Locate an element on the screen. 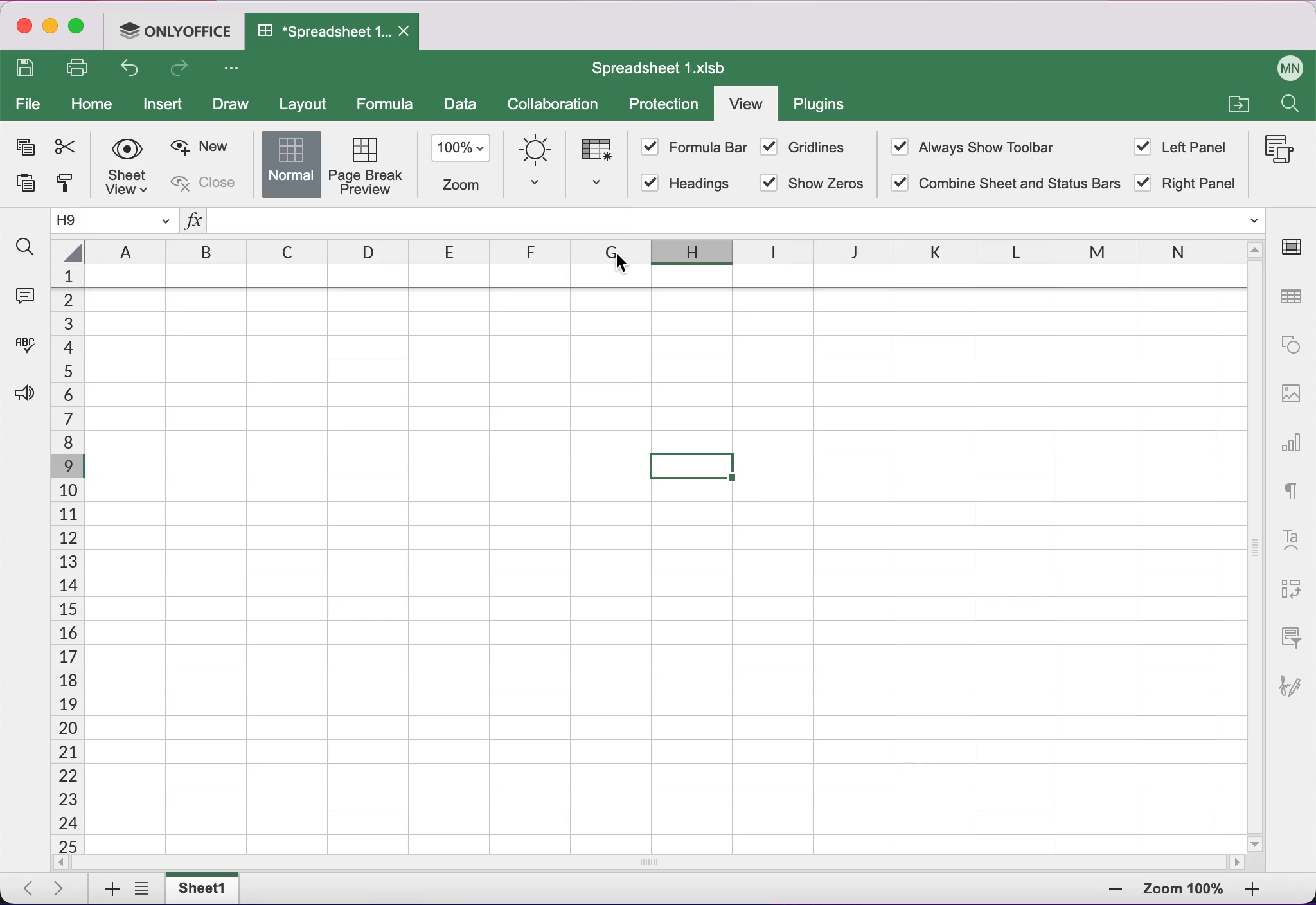  close is located at coordinates (24, 26).